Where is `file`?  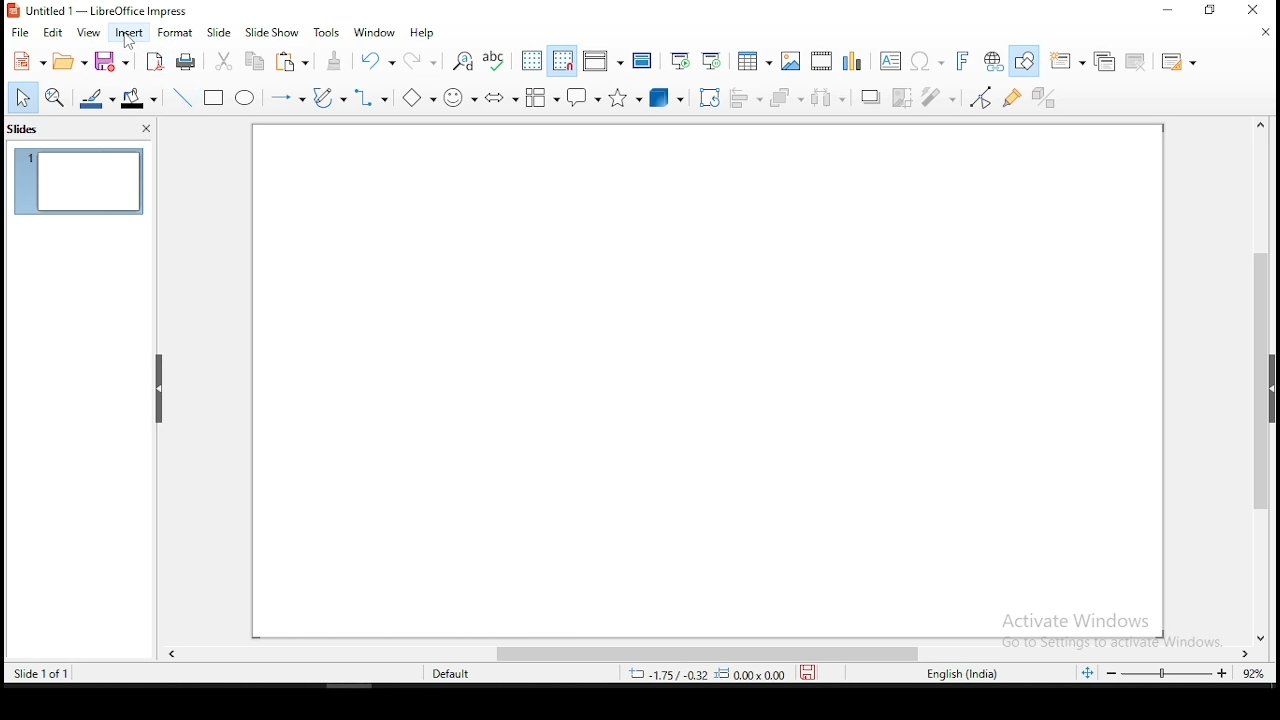 file is located at coordinates (20, 33).